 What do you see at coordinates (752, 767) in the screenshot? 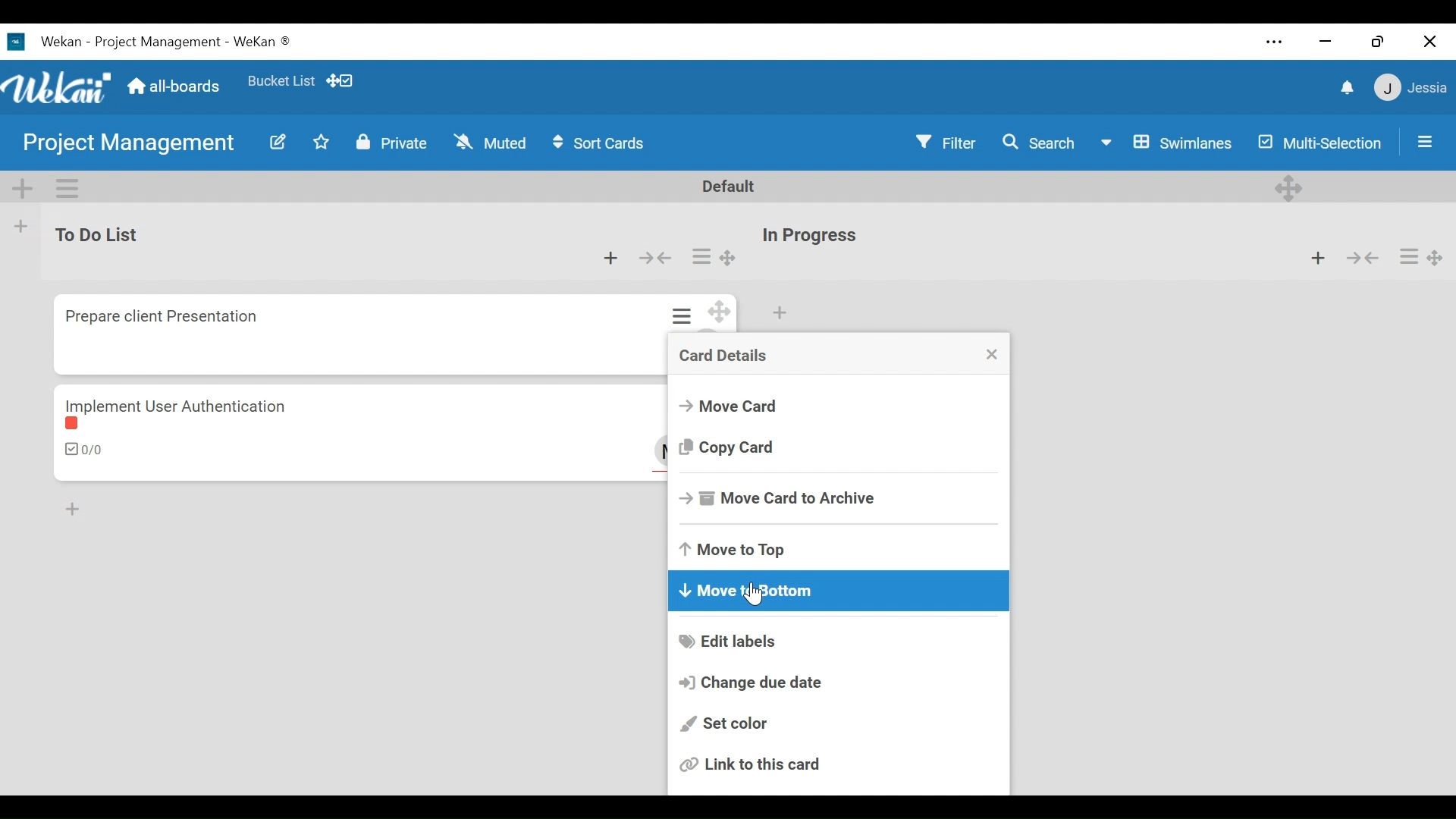
I see `link this card` at bounding box center [752, 767].